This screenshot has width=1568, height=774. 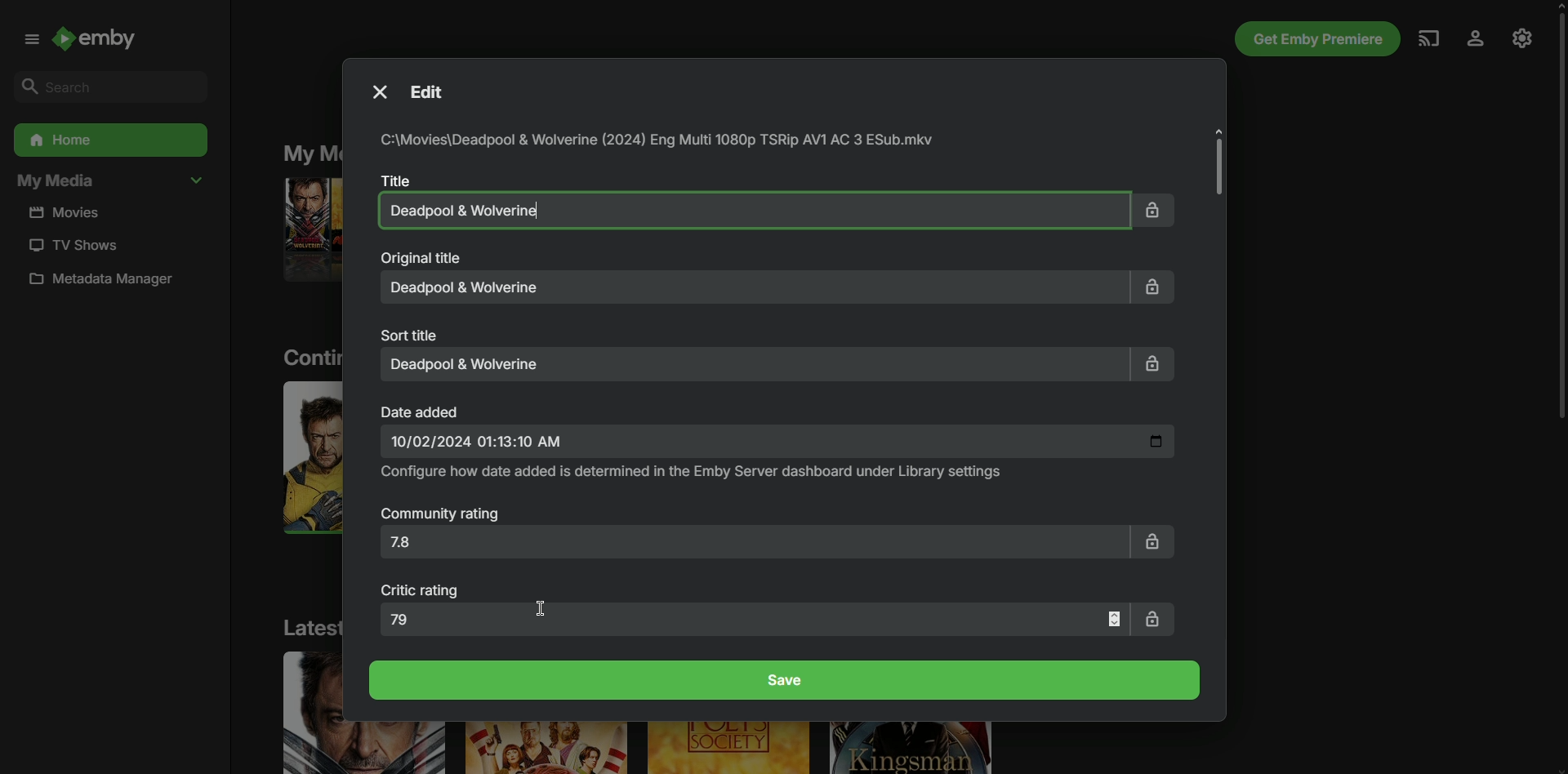 What do you see at coordinates (1155, 618) in the screenshot?
I see `Lock` at bounding box center [1155, 618].